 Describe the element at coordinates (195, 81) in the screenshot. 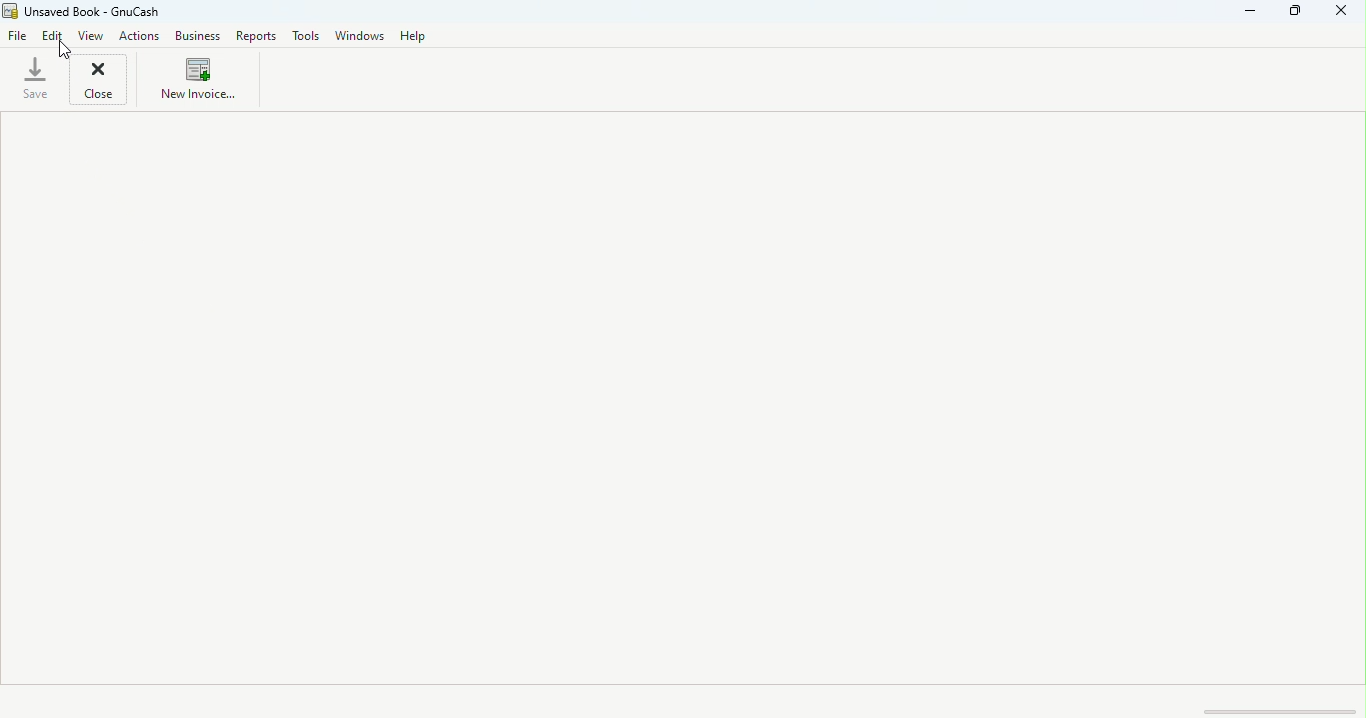

I see `New invoice` at that location.